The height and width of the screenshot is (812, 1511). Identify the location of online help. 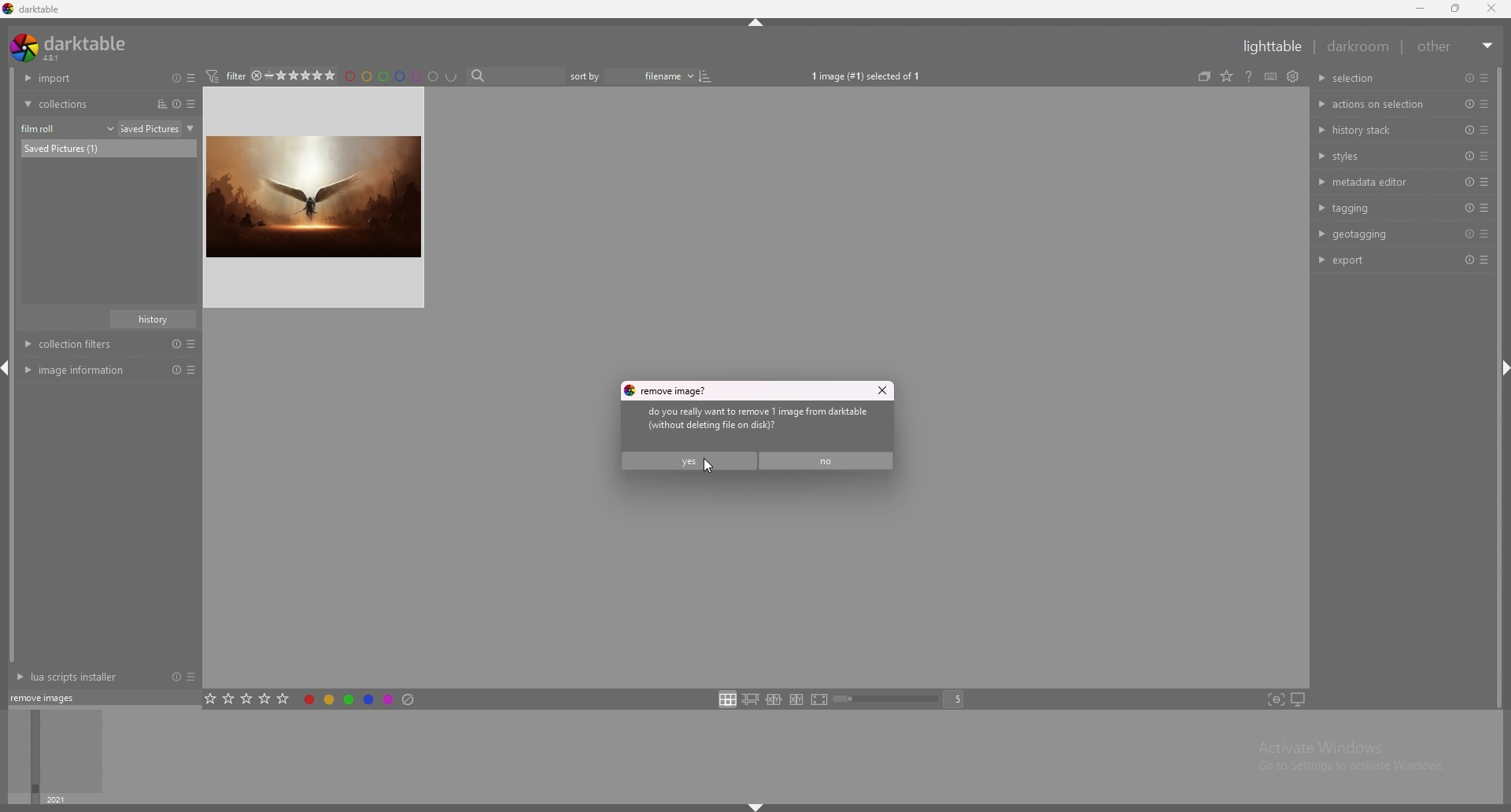
(1269, 76).